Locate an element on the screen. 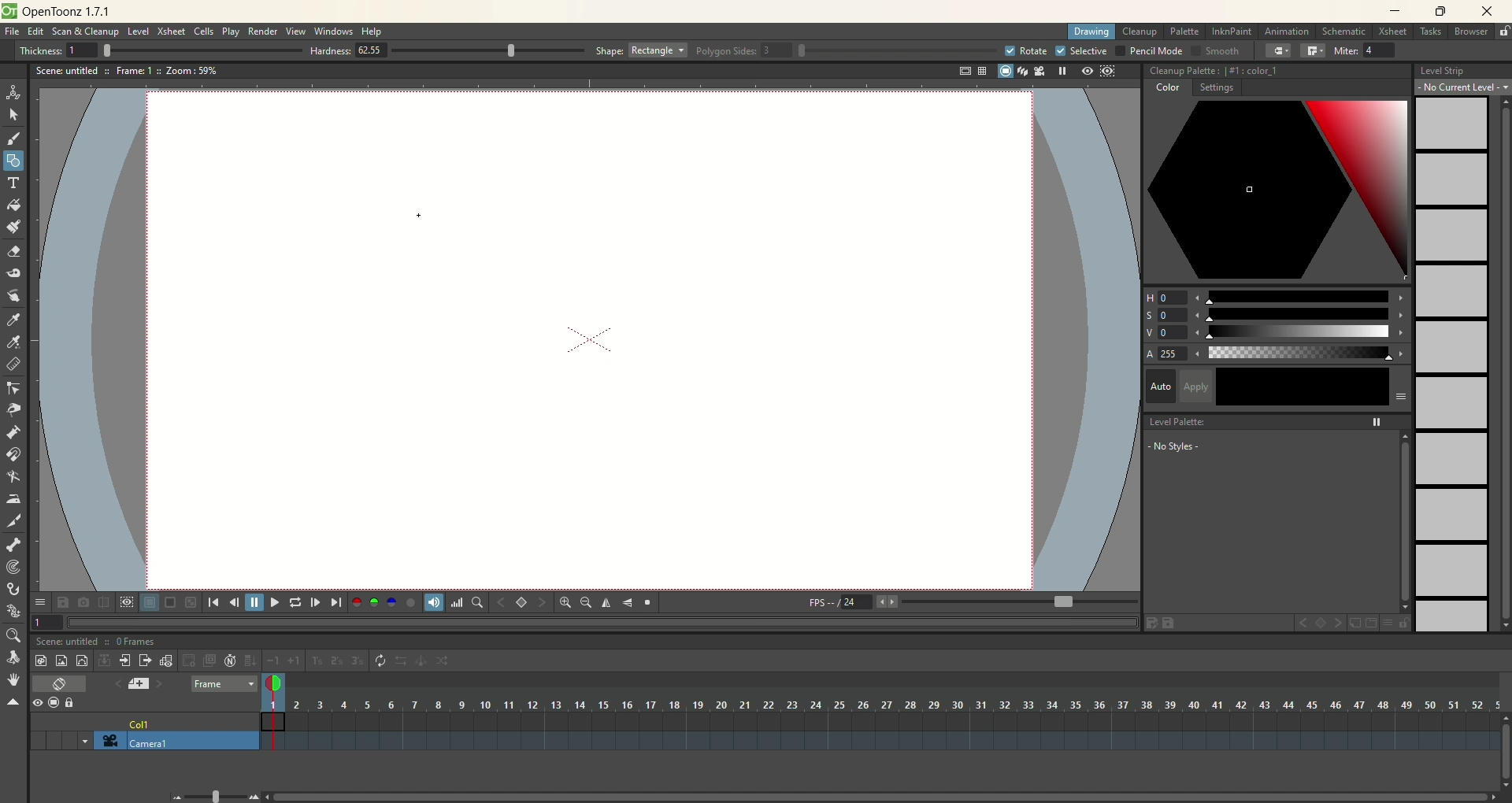 This screenshot has width=1512, height=803. no style is located at coordinates (1206, 446).